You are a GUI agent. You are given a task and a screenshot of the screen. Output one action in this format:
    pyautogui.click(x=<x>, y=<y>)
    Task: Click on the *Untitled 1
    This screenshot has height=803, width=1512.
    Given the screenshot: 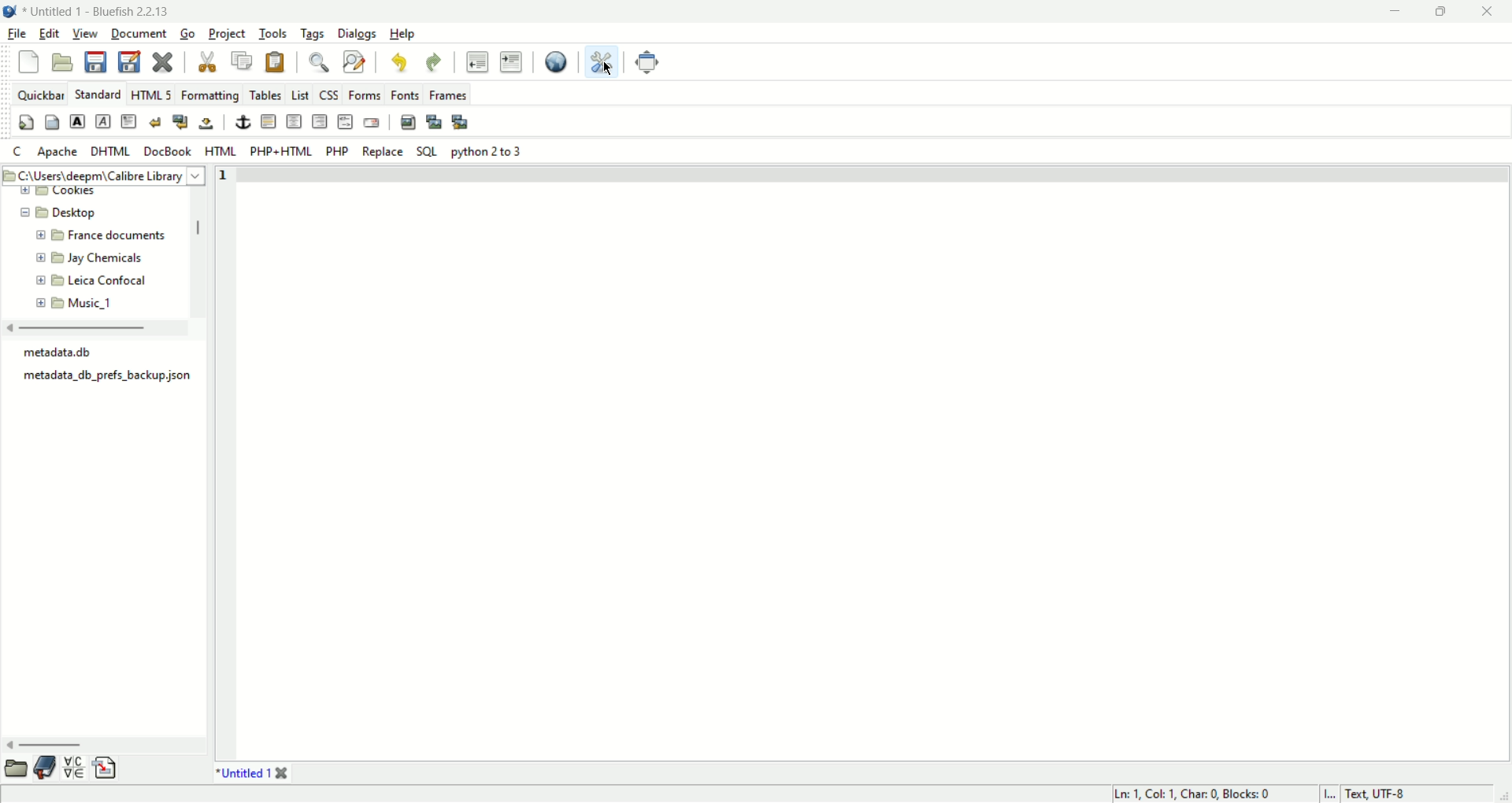 What is the action you would take?
    pyautogui.click(x=243, y=775)
    